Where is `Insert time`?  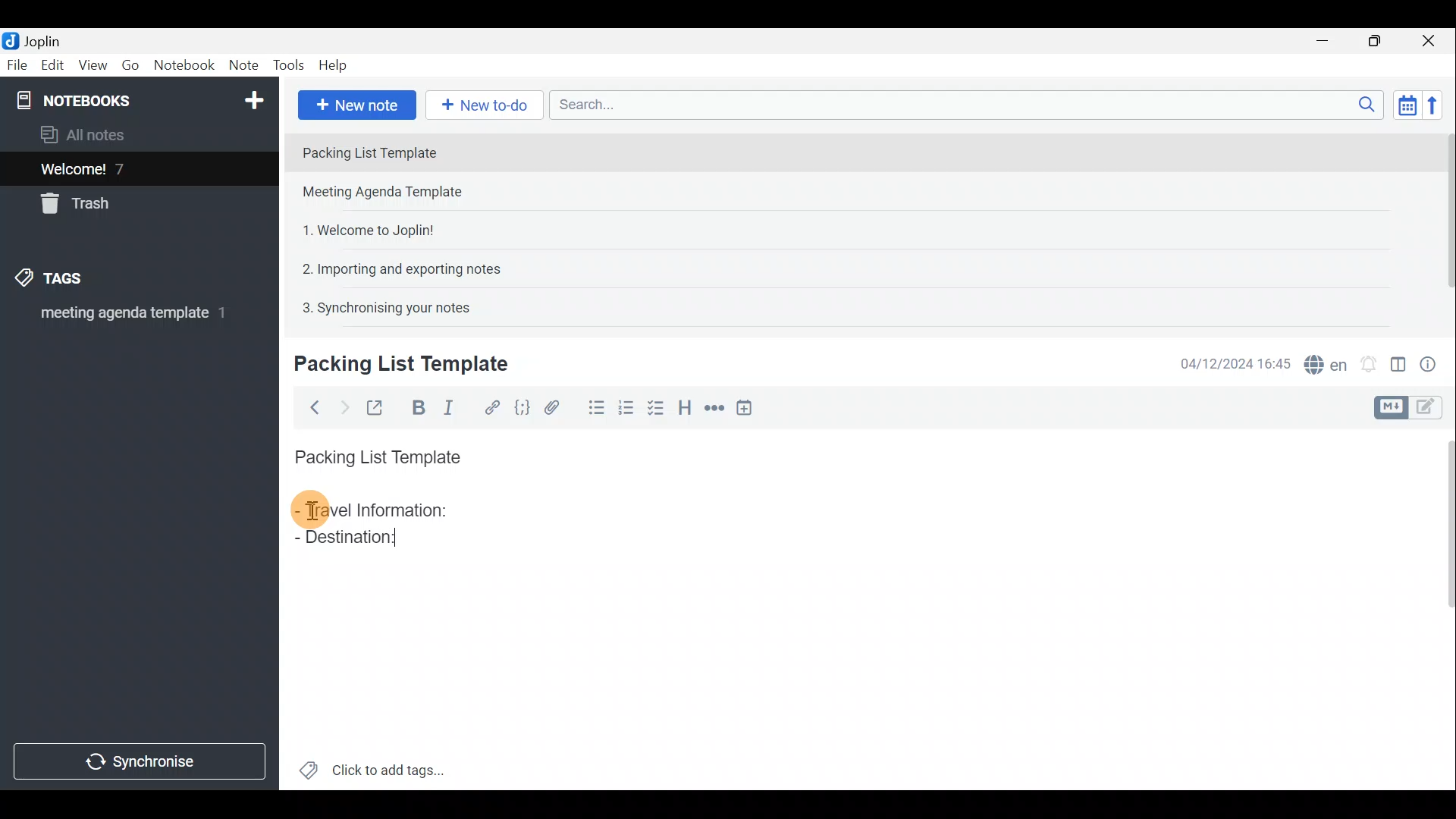
Insert time is located at coordinates (749, 407).